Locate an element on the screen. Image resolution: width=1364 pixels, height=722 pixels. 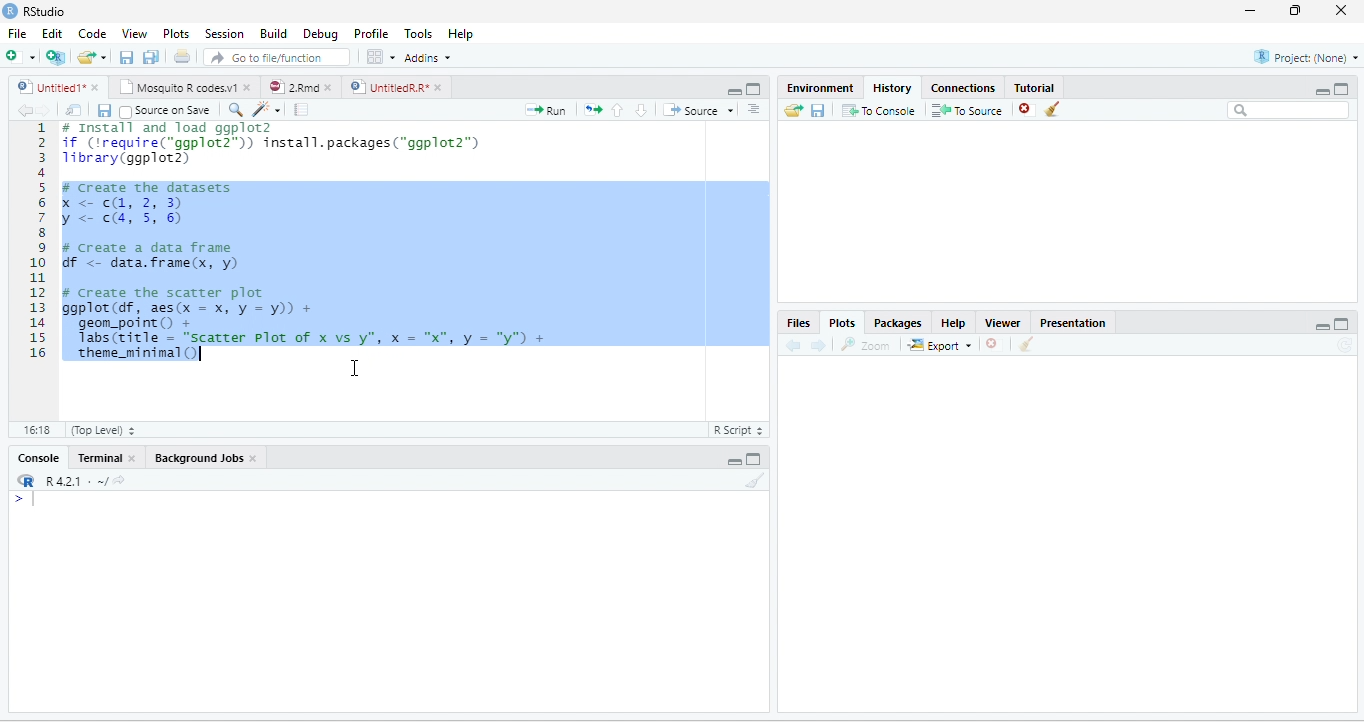
Code tools is located at coordinates (268, 110).